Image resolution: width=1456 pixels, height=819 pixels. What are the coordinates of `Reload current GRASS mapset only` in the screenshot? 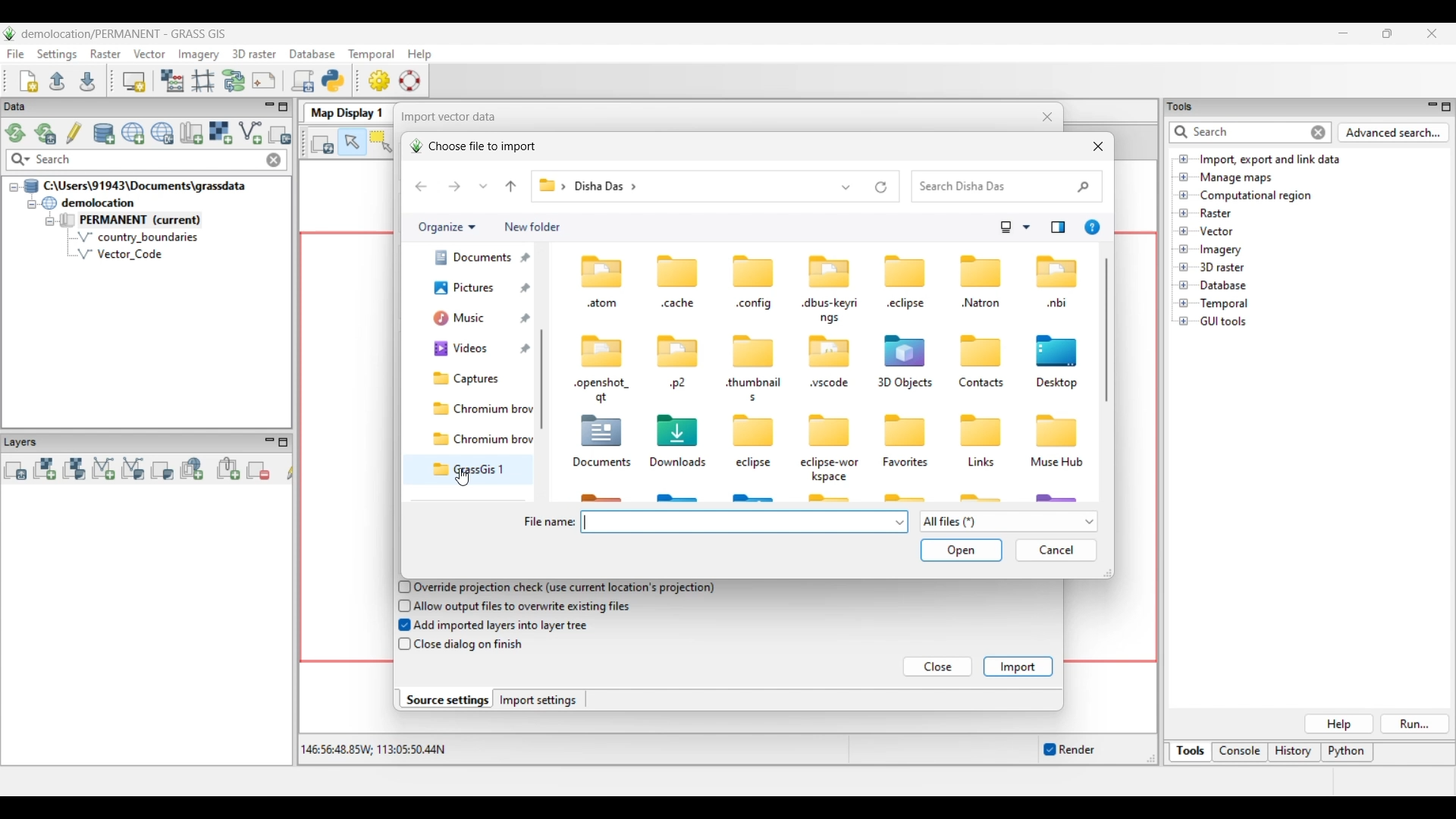 It's located at (45, 133).